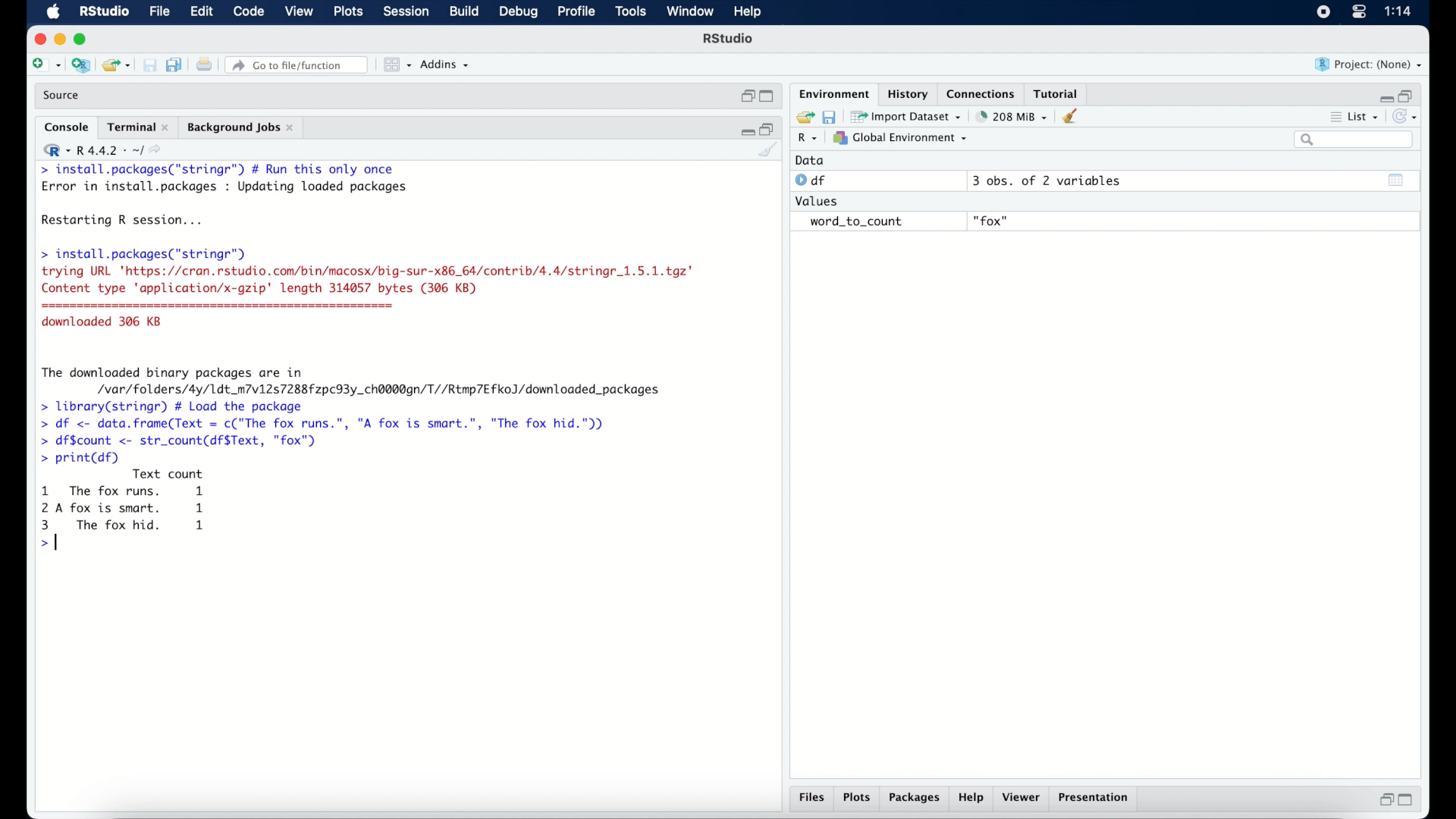 The height and width of the screenshot is (819, 1456). Describe the element at coordinates (221, 170) in the screenshot. I see `> install.packages("stringr") # Run this only once|` at that location.